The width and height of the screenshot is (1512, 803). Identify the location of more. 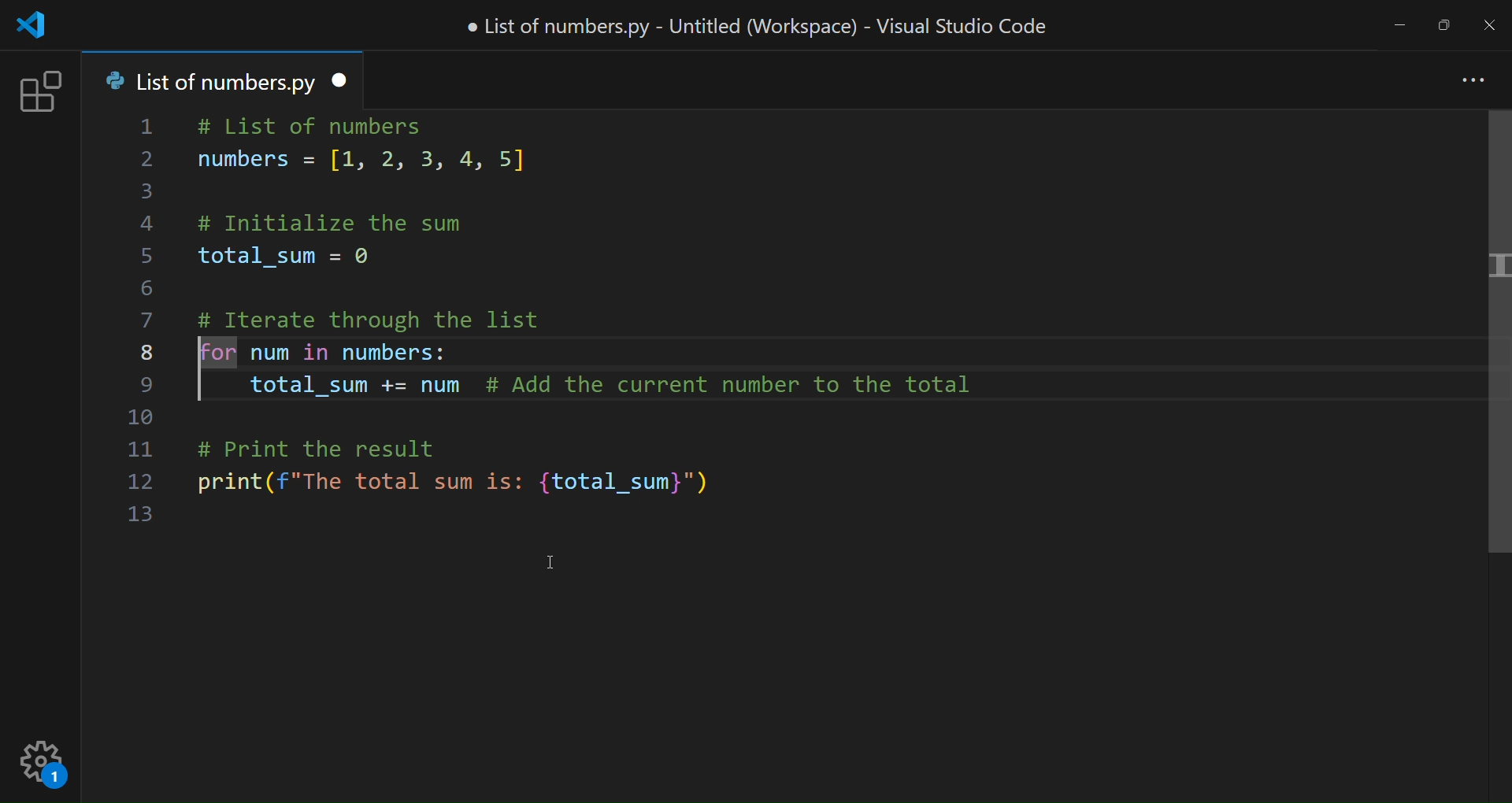
(1475, 78).